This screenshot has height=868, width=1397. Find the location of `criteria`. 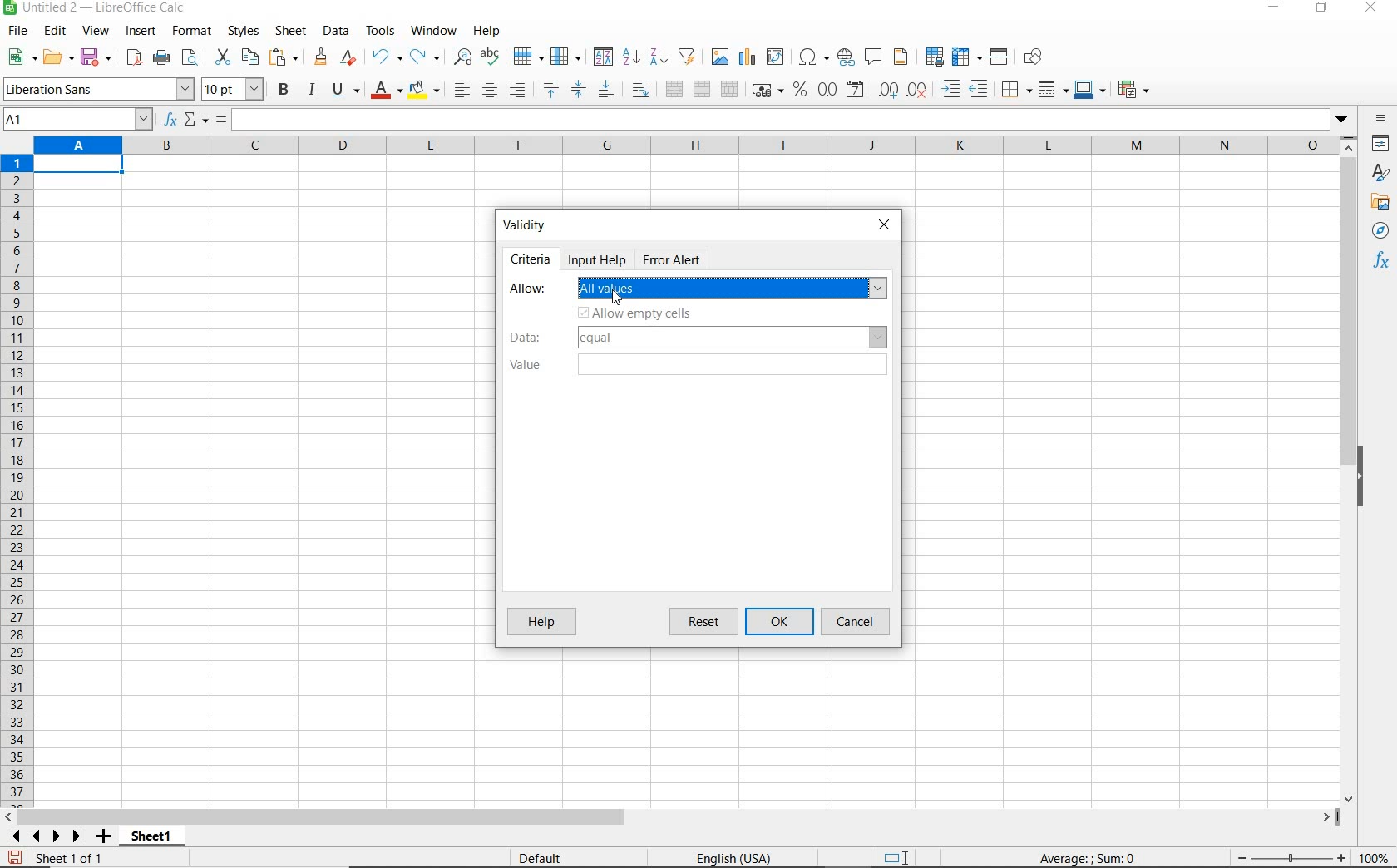

criteria is located at coordinates (529, 260).